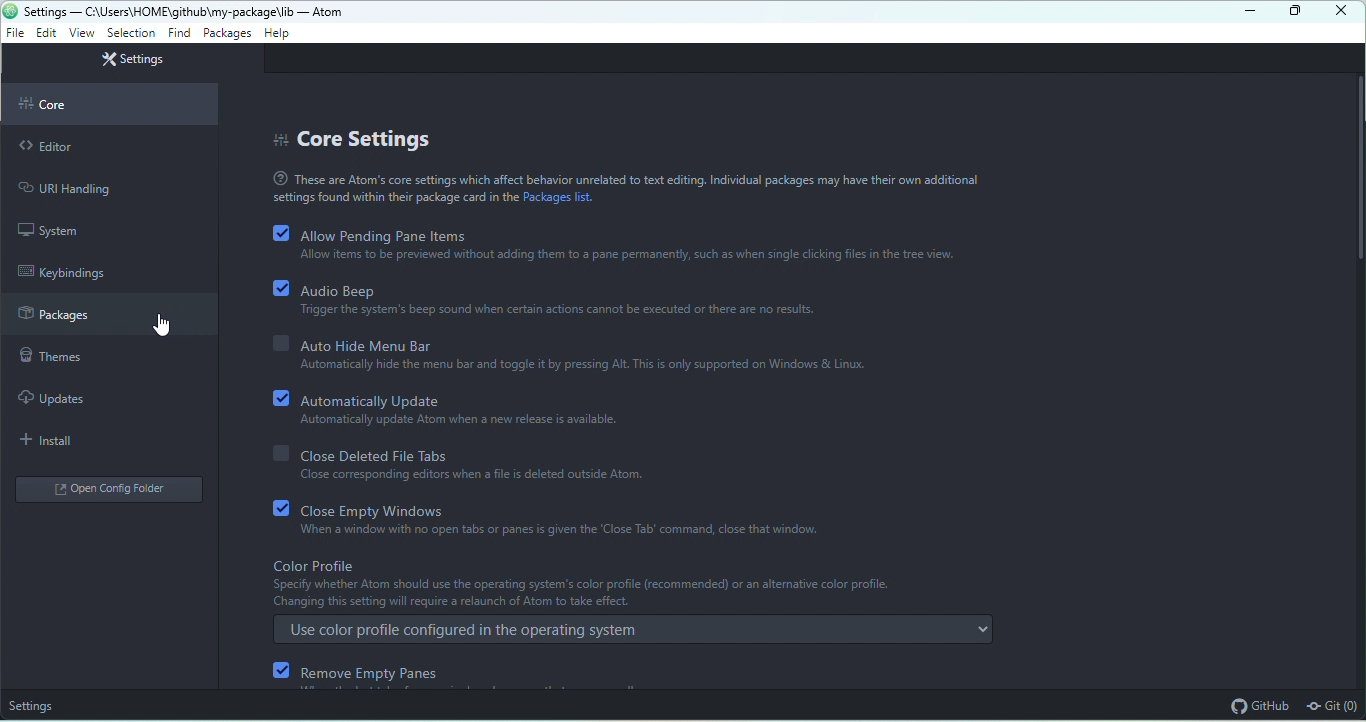 The image size is (1366, 722). I want to click on Packages list, so click(563, 199).